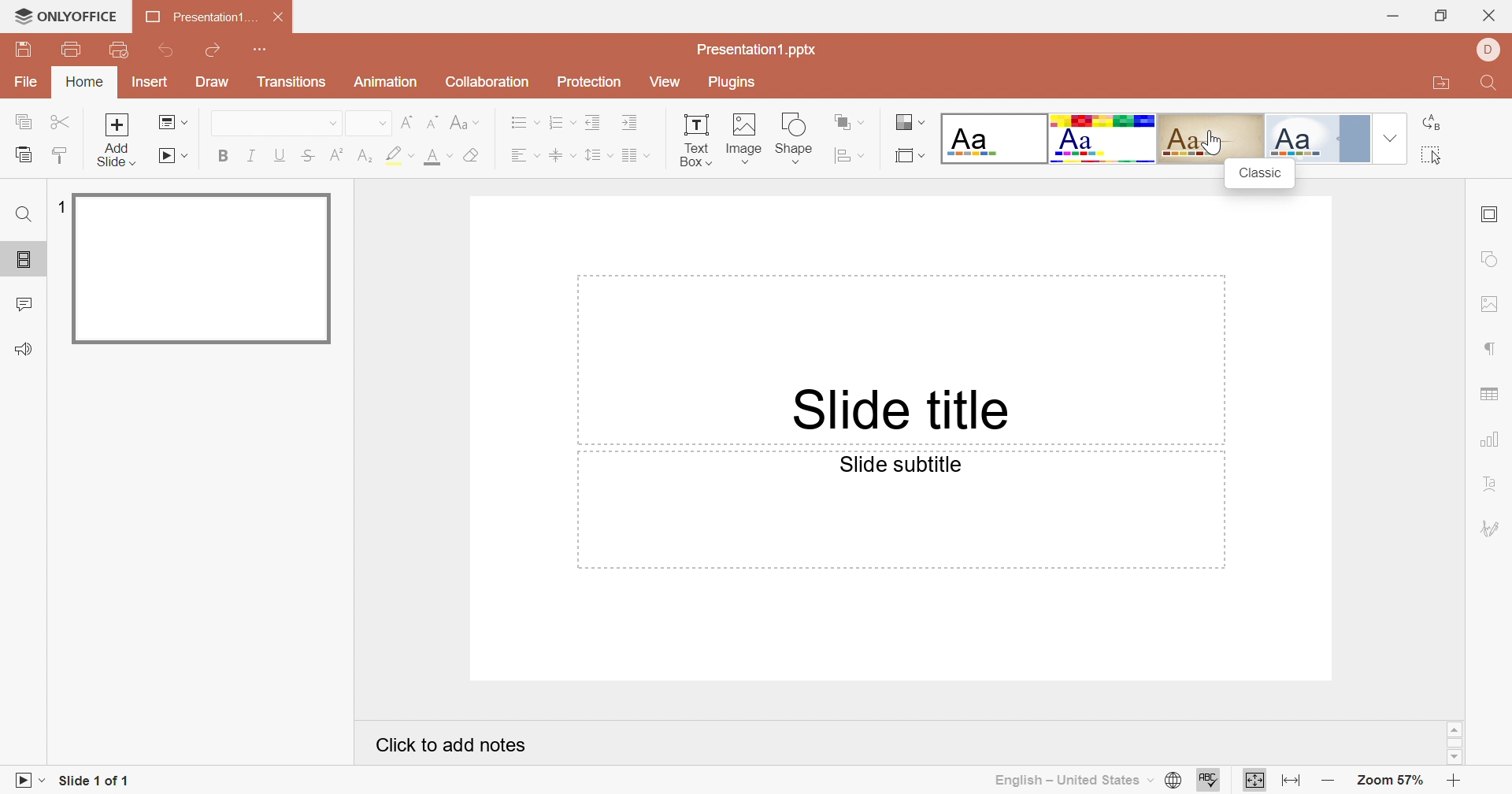 Image resolution: width=1512 pixels, height=794 pixels. Describe the element at coordinates (1495, 481) in the screenshot. I see `Text Art settings` at that location.